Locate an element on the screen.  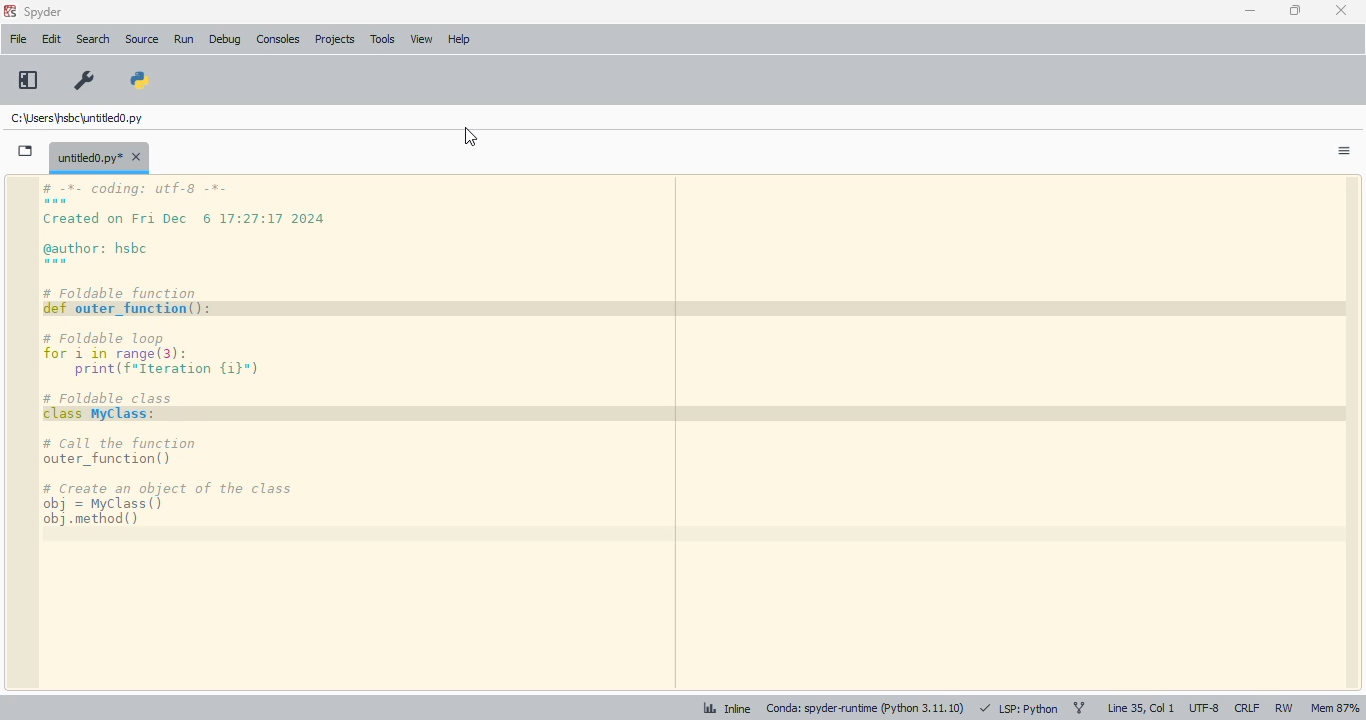
maximize is located at coordinates (1296, 10).